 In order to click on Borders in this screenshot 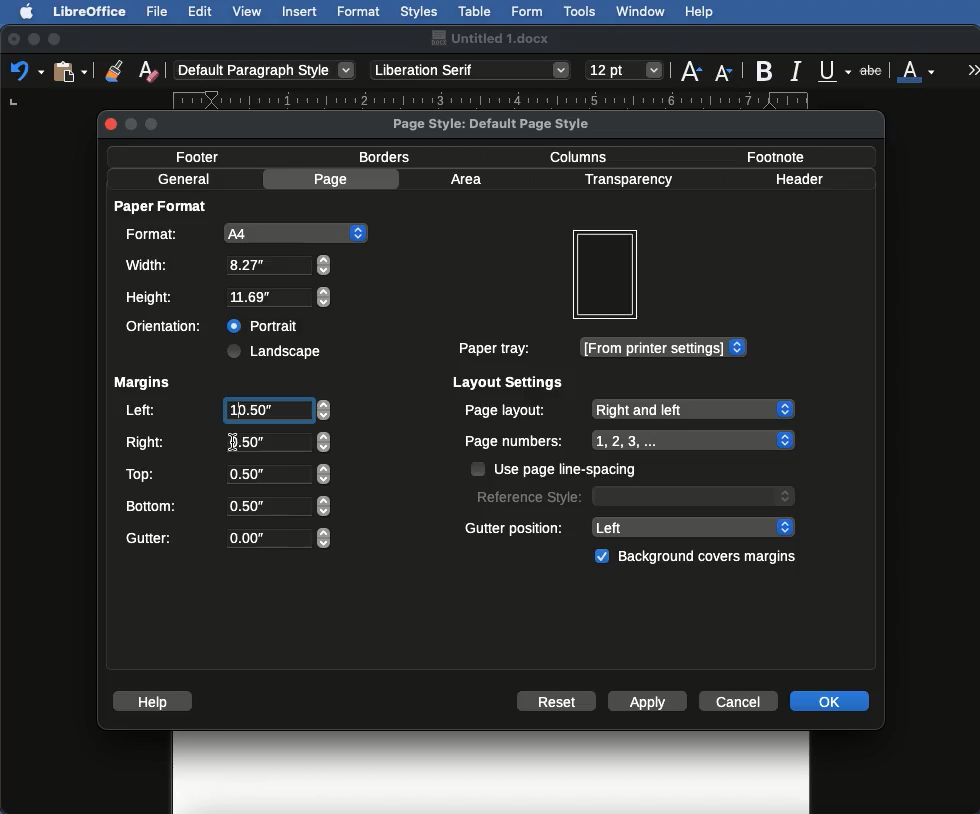, I will do `click(386, 157)`.